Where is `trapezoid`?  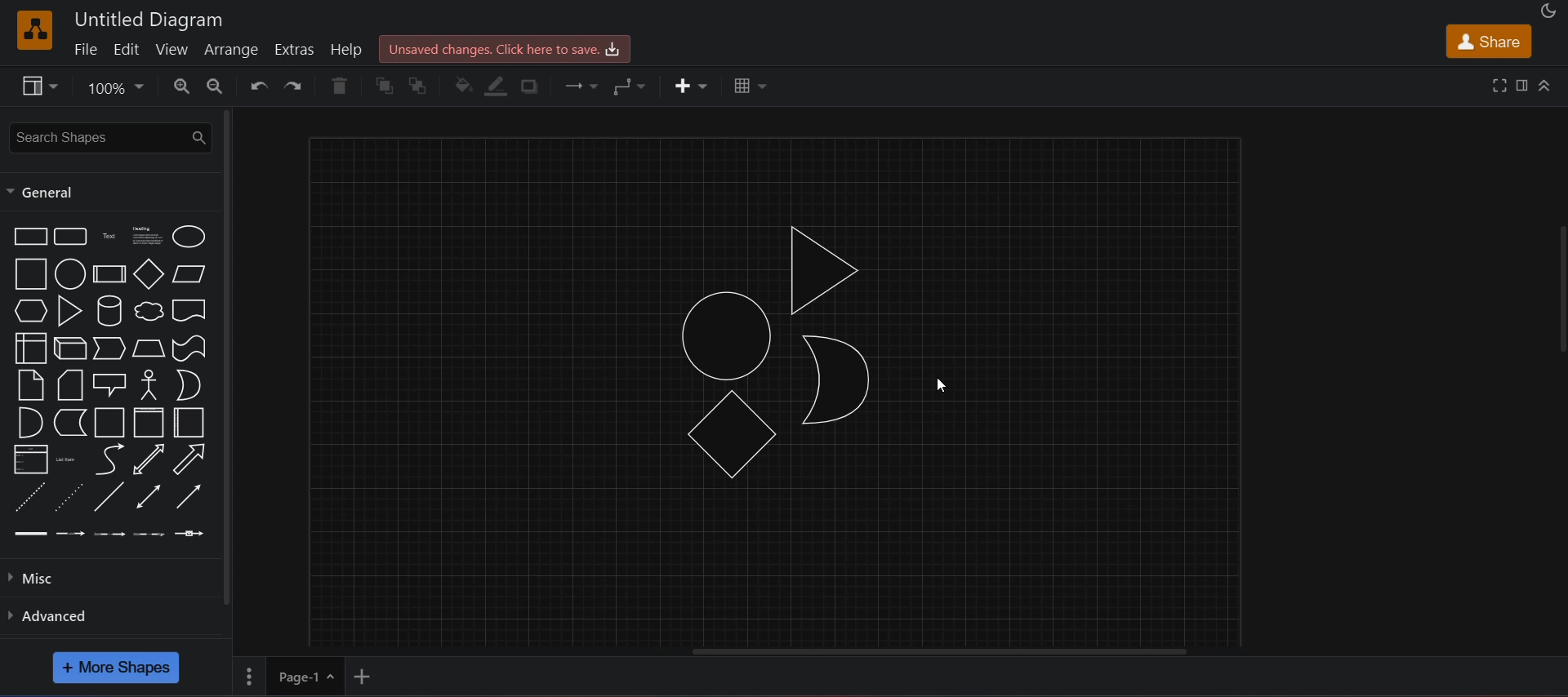 trapezoid is located at coordinates (146, 348).